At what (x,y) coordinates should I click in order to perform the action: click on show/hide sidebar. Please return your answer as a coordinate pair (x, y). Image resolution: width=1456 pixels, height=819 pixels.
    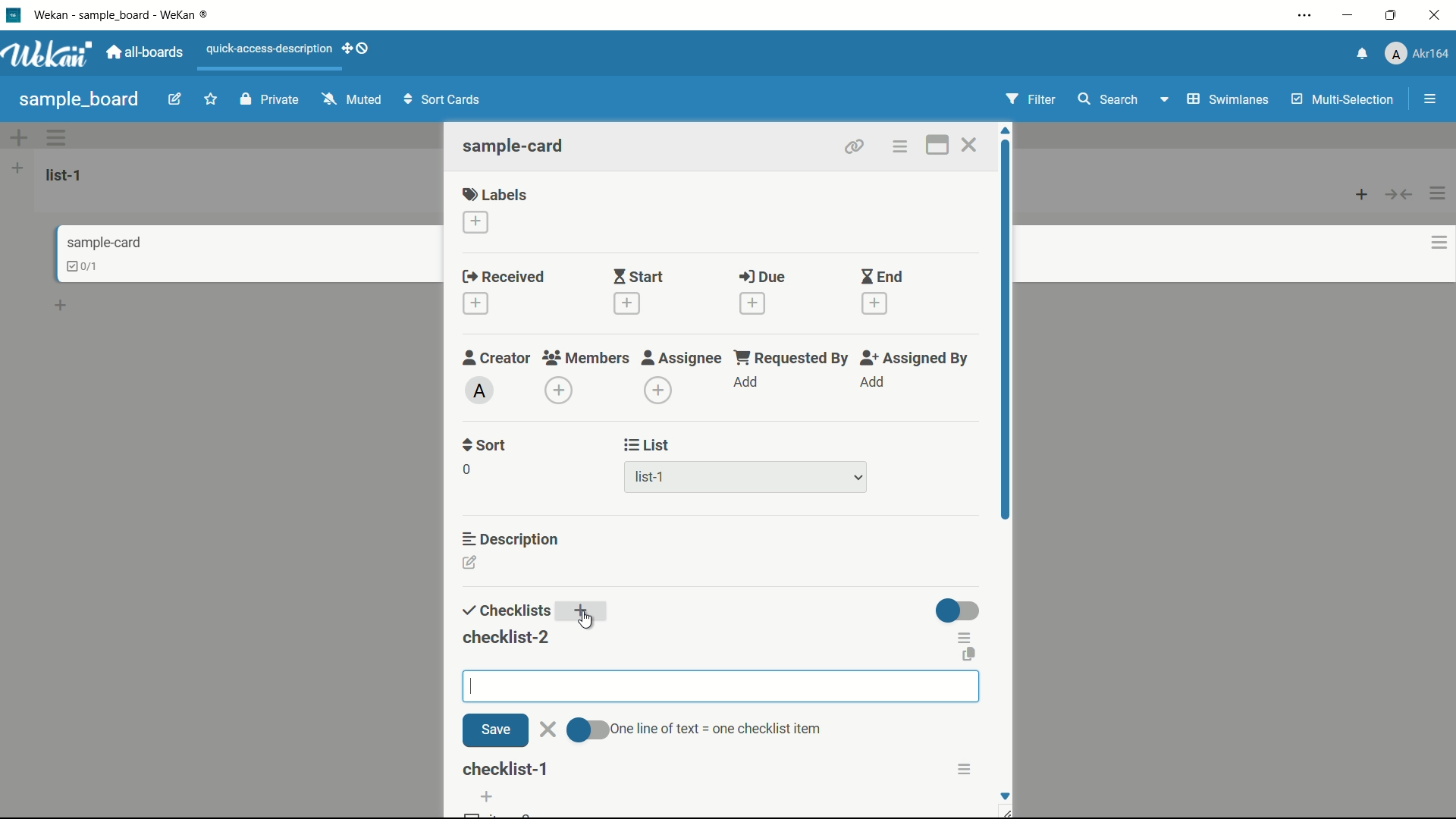
    Looking at the image, I should click on (1432, 99).